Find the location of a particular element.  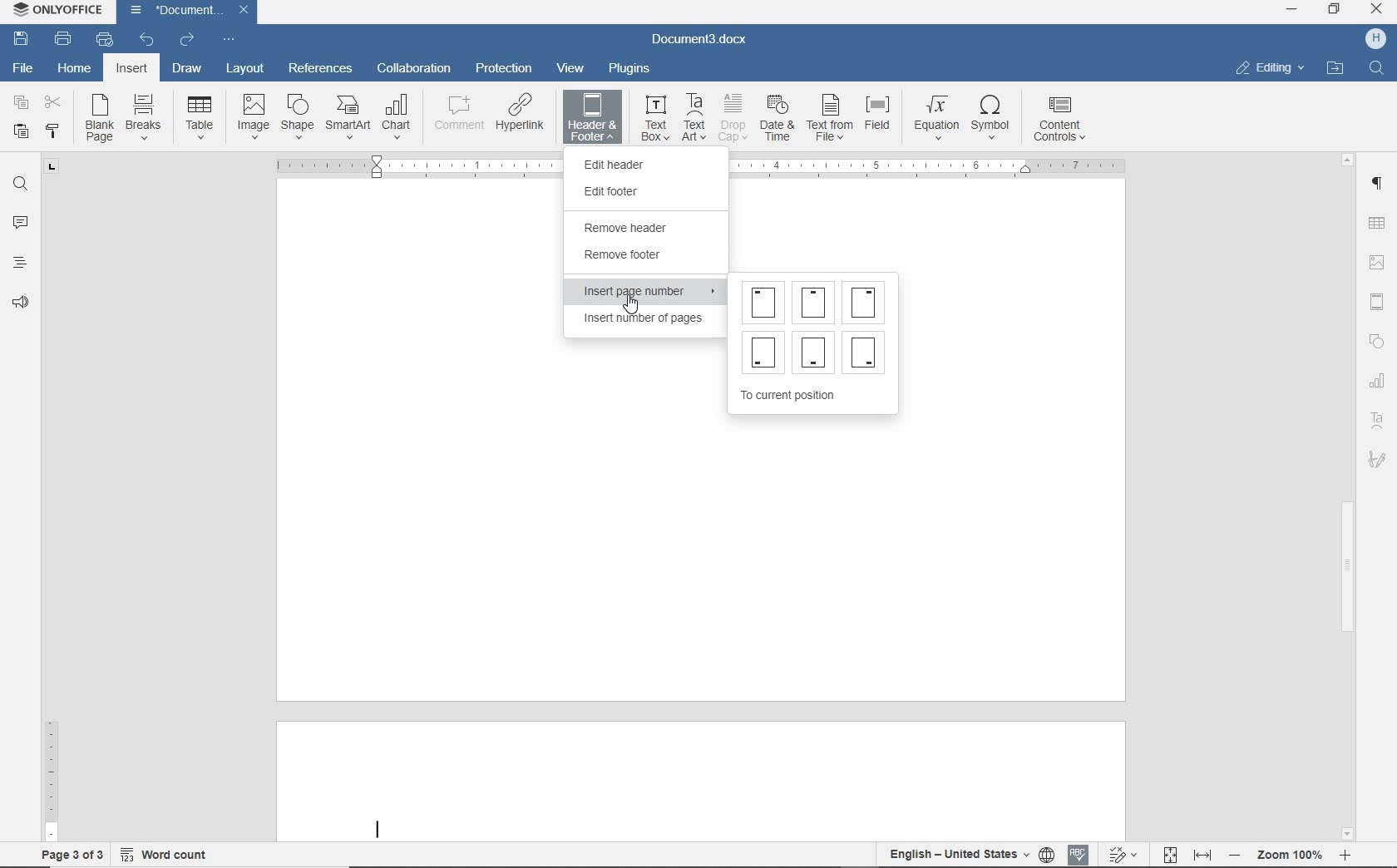

Charts is located at coordinates (1376, 377).